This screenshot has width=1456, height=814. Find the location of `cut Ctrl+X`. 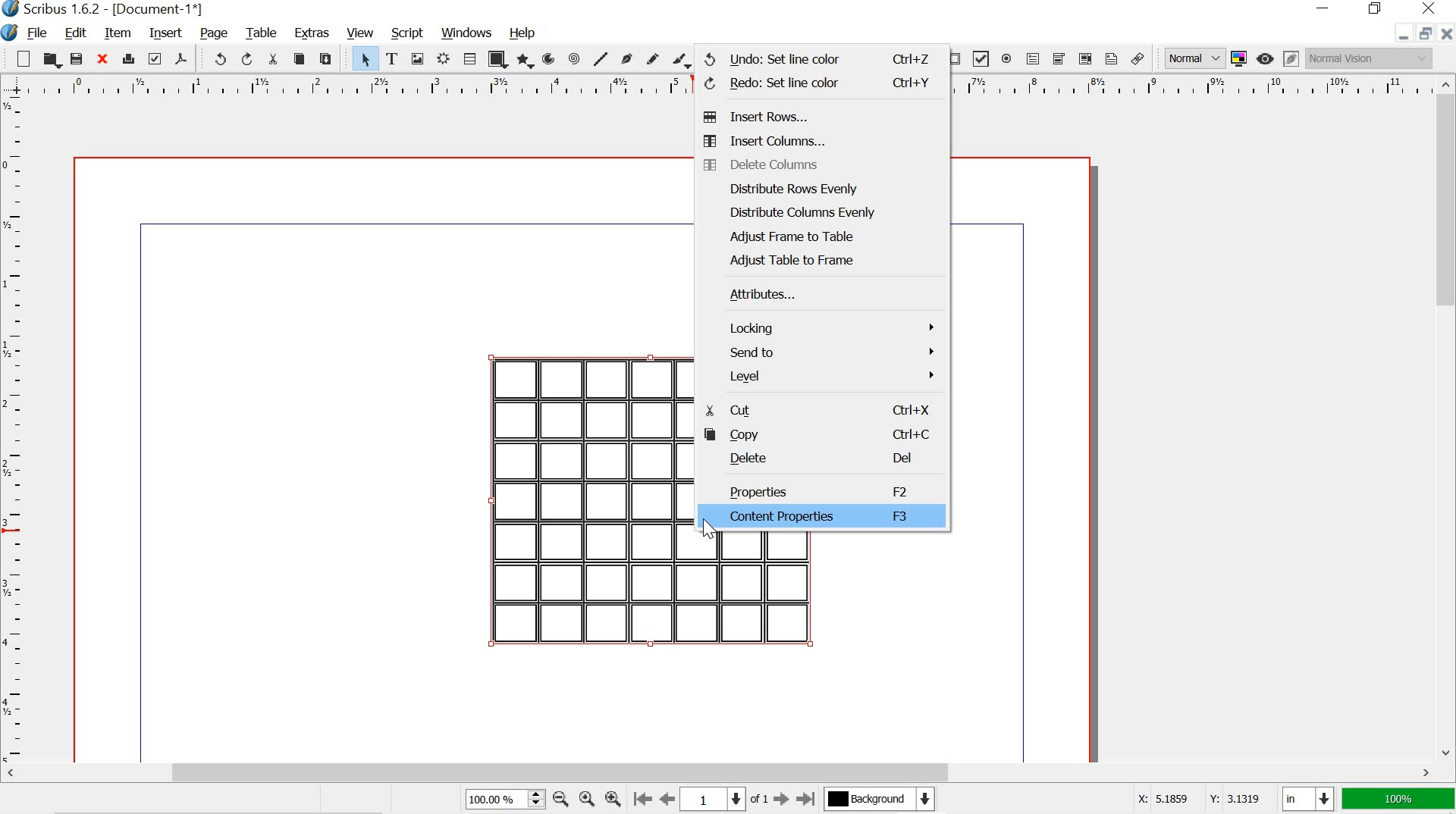

cut Ctrl+X is located at coordinates (823, 409).